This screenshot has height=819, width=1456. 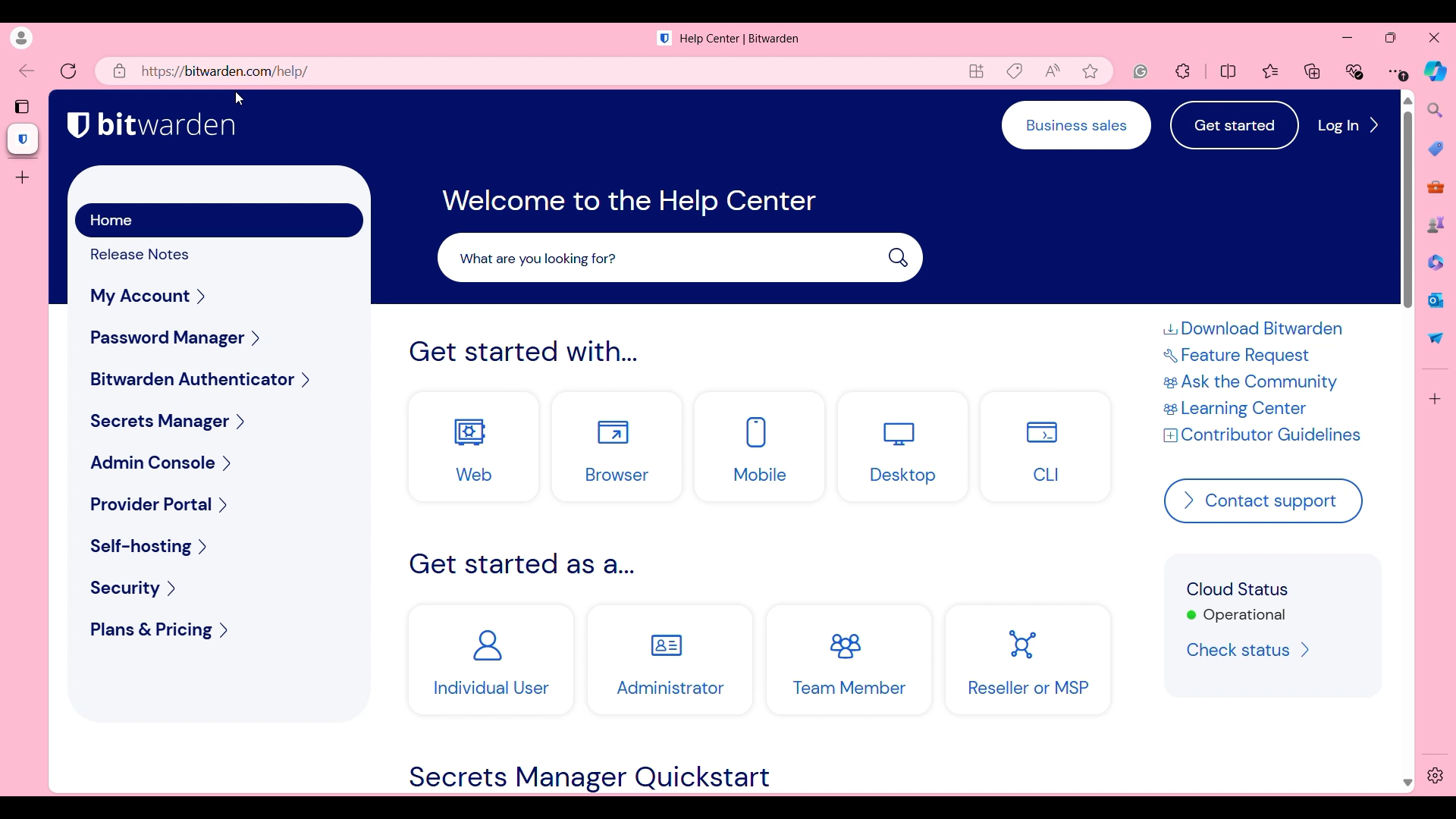 I want to click on Plan and pricing, so click(x=221, y=630).